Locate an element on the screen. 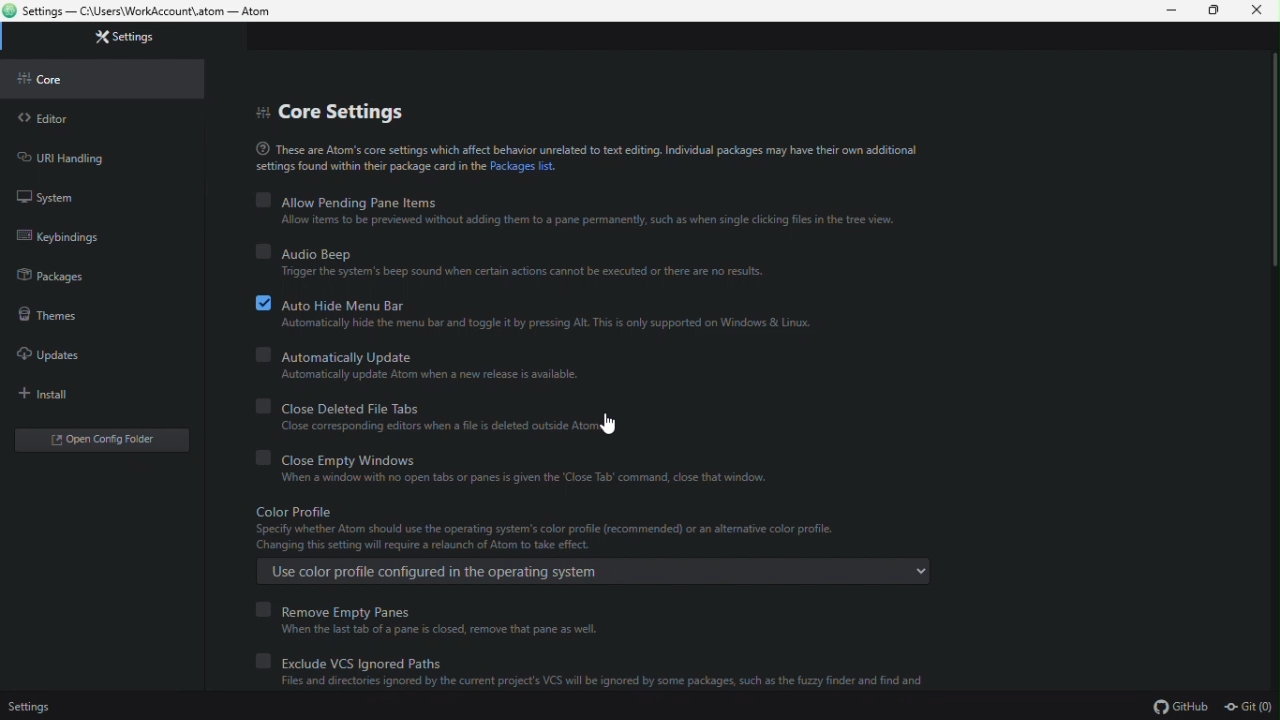 The image size is (1280, 720). Exclude VCS Ignored Paths is located at coordinates (349, 660).